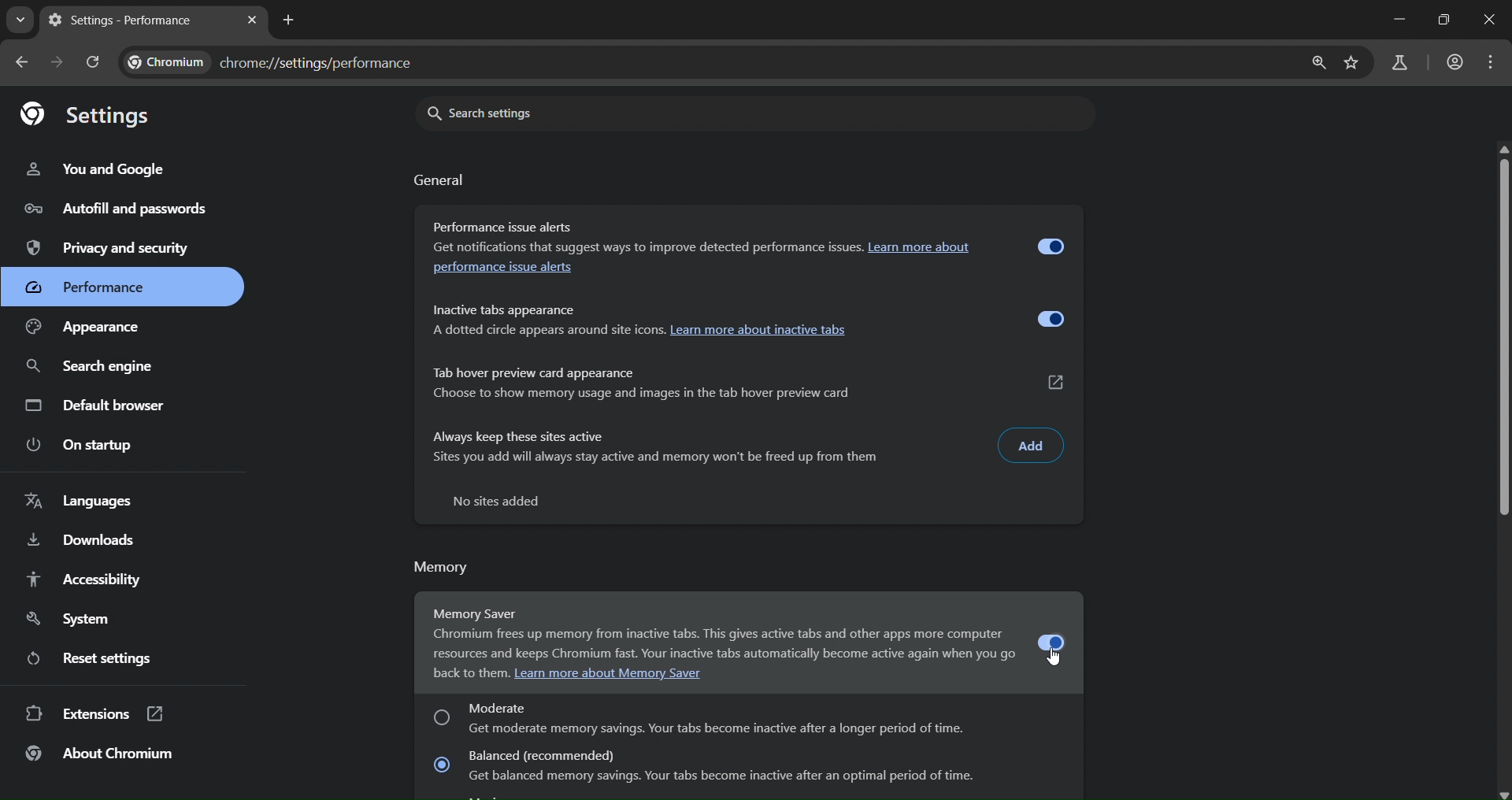 The height and width of the screenshot is (800, 1512). I want to click on go forward one page, so click(59, 64).